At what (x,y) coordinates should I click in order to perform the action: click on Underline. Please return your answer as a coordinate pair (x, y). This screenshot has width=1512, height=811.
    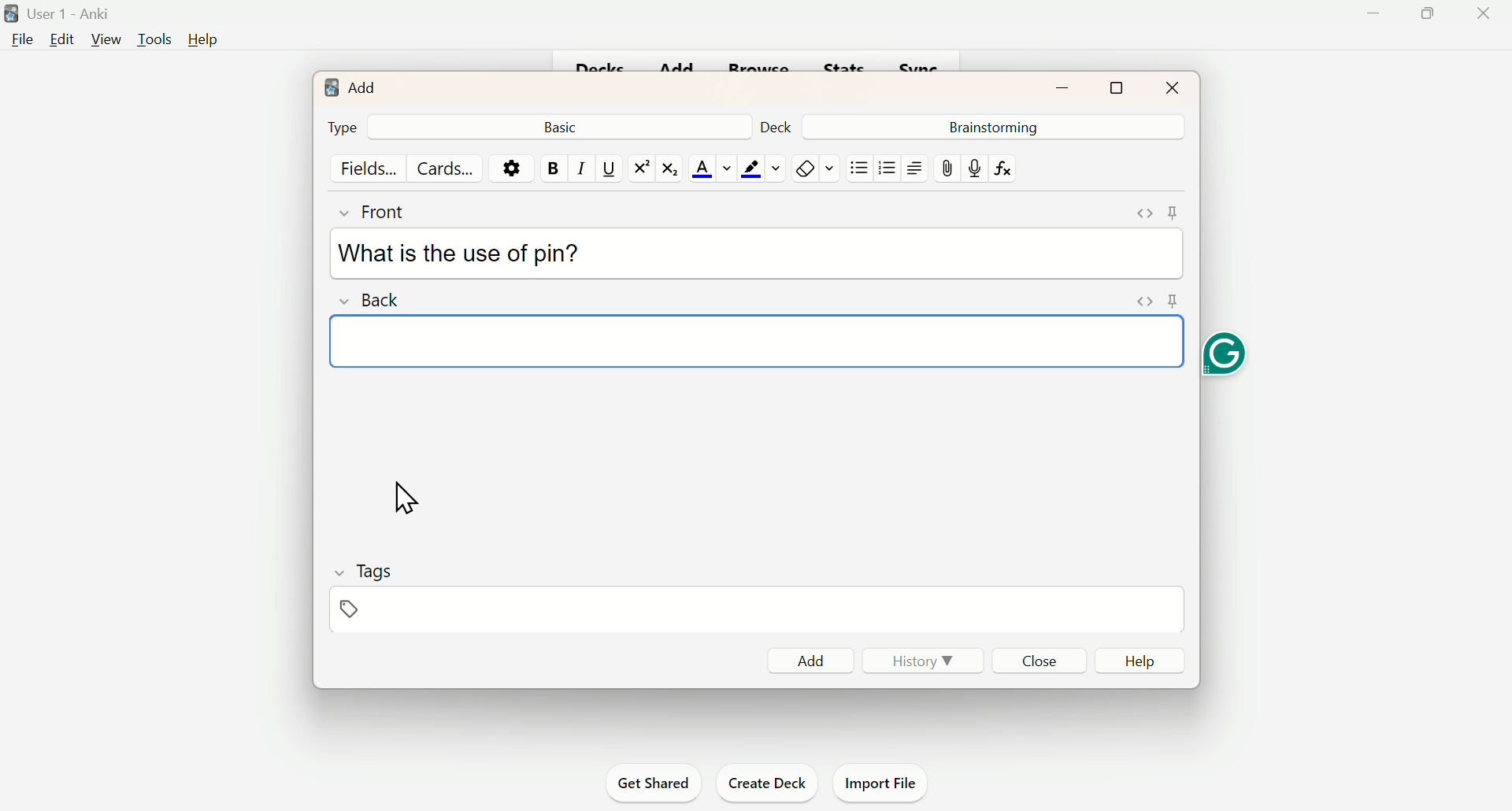
    Looking at the image, I should click on (608, 167).